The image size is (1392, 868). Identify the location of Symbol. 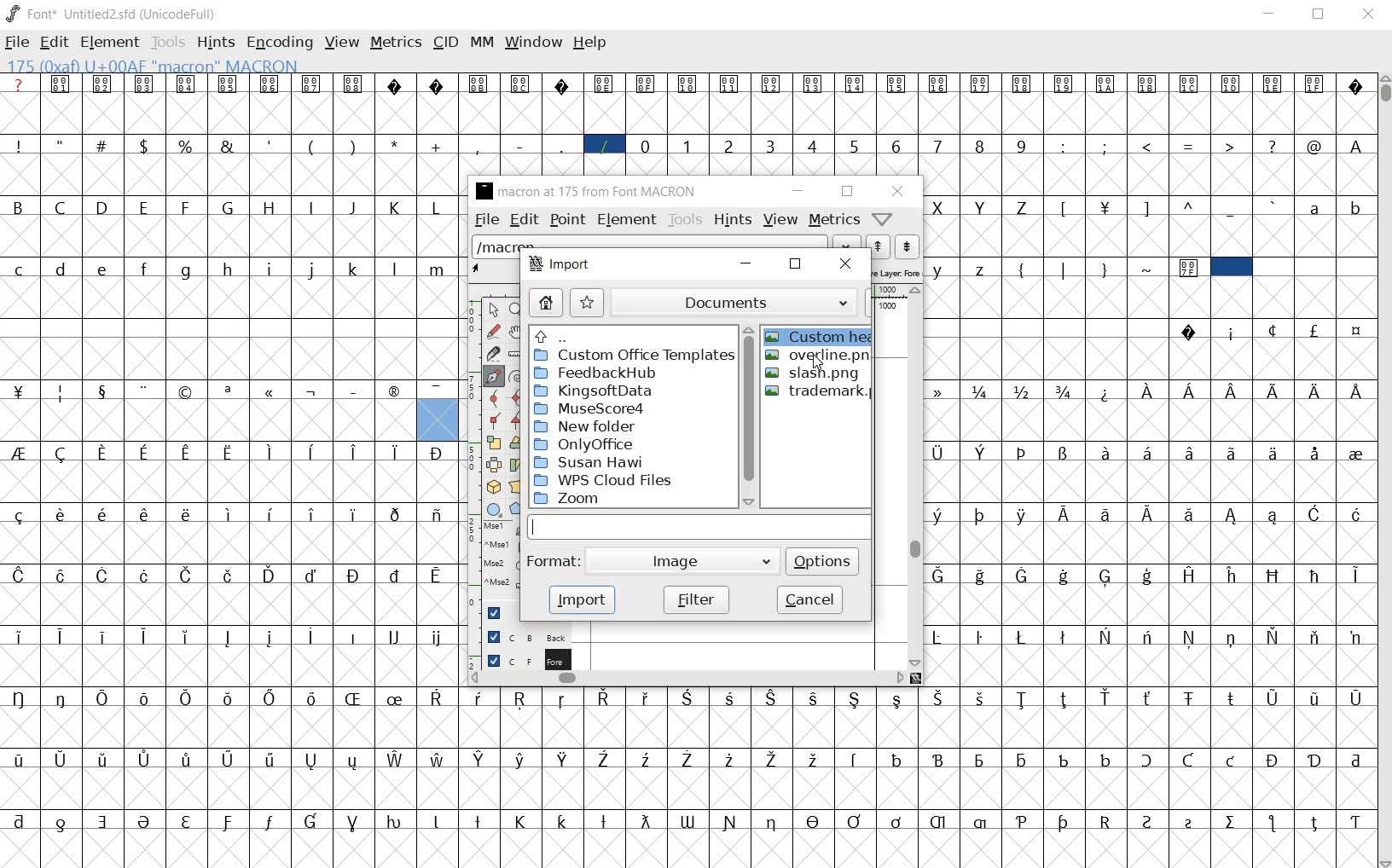
(229, 820).